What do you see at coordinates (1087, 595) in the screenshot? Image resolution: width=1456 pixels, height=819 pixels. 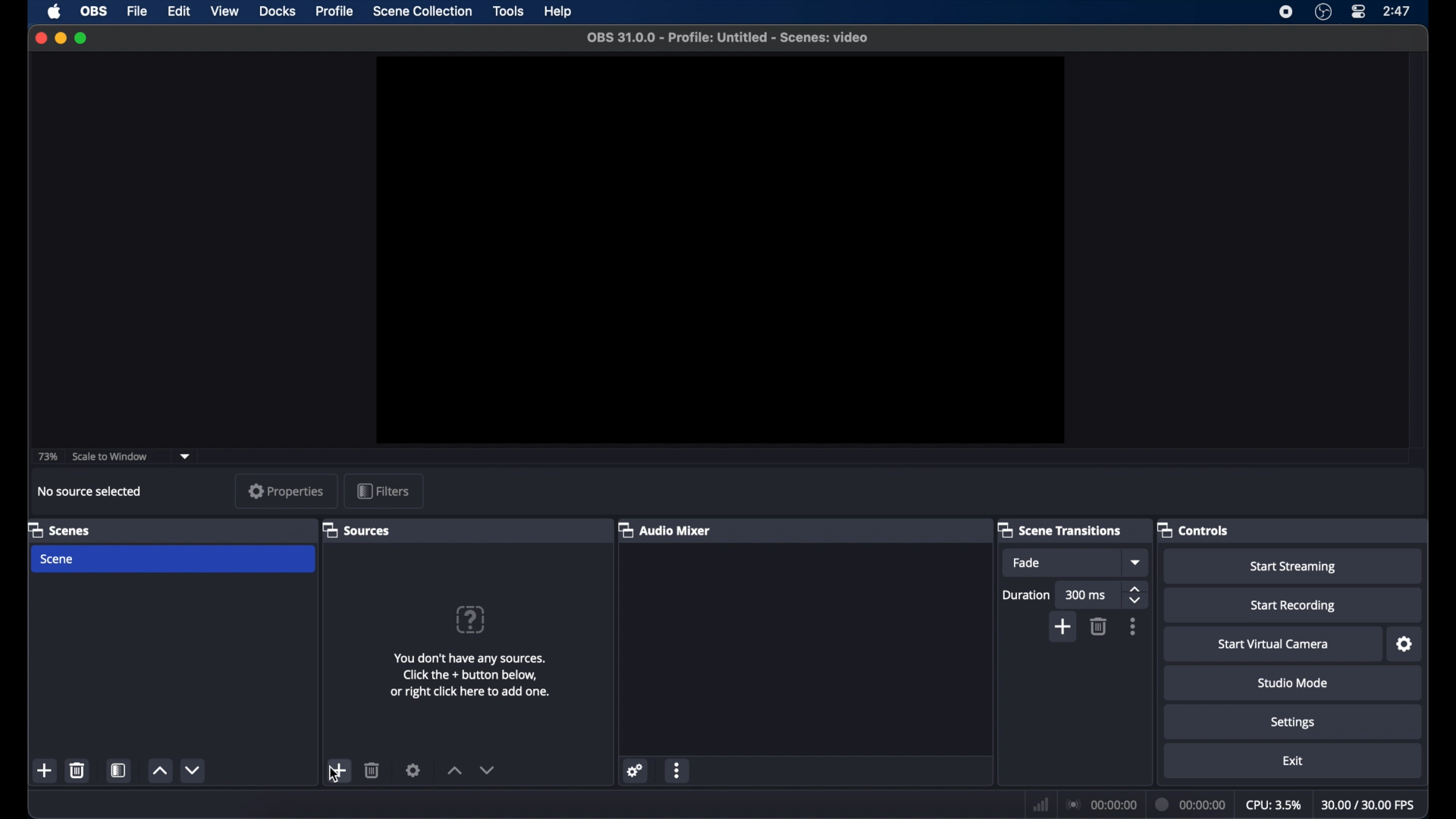 I see `300 ms` at bounding box center [1087, 595].